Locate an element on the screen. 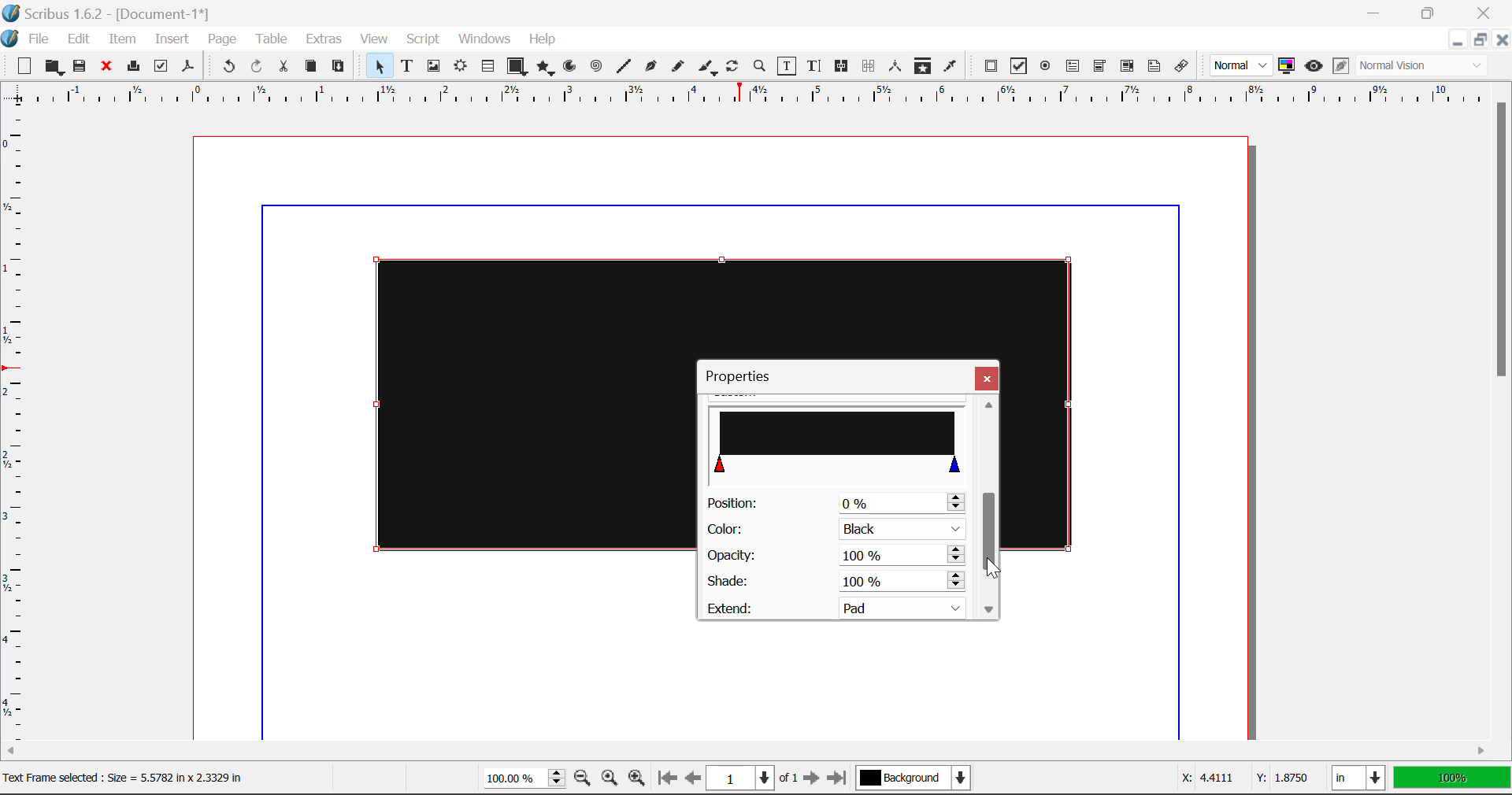  Edit is located at coordinates (81, 39).